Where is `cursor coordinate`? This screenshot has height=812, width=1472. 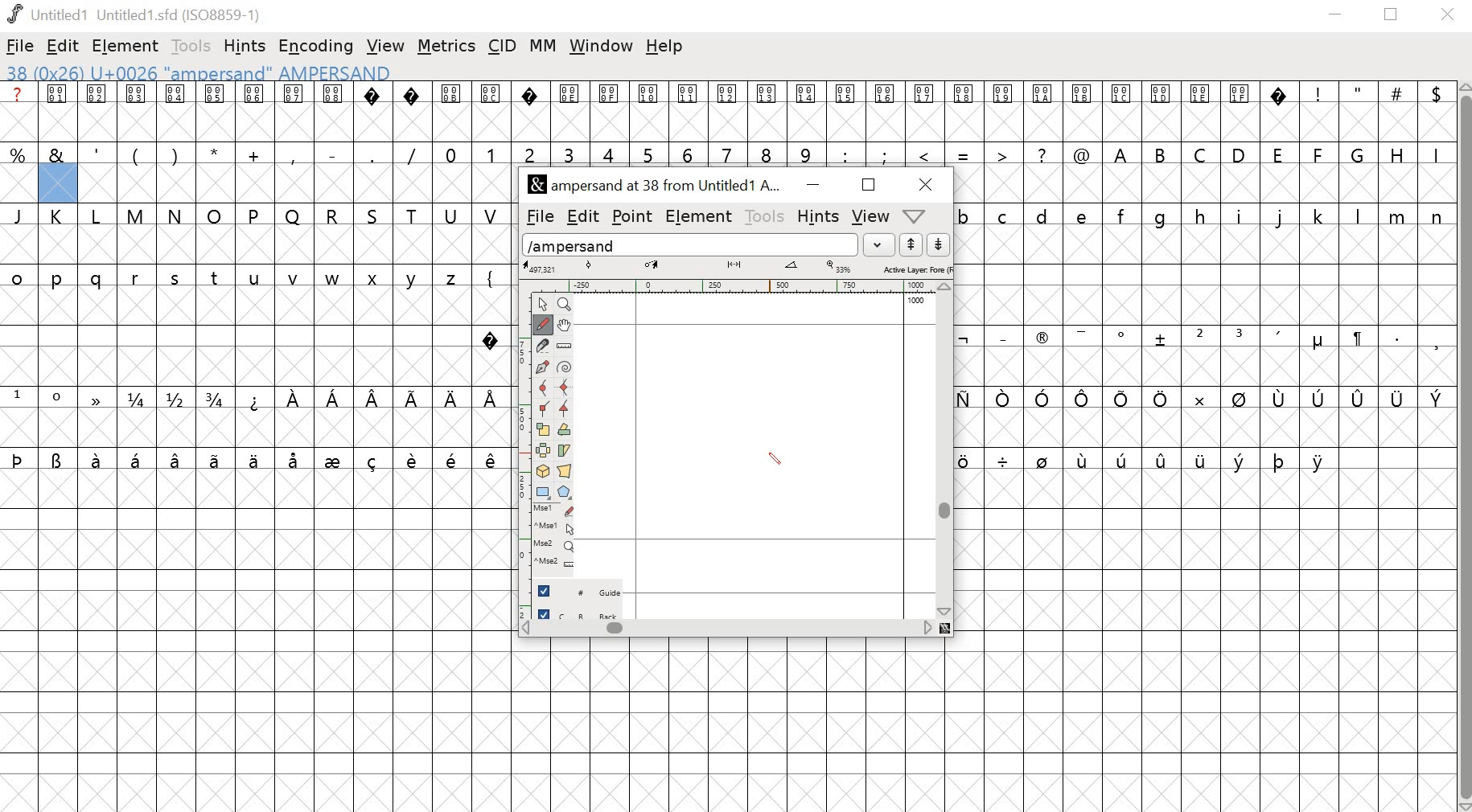 cursor coordinate is located at coordinates (543, 267).